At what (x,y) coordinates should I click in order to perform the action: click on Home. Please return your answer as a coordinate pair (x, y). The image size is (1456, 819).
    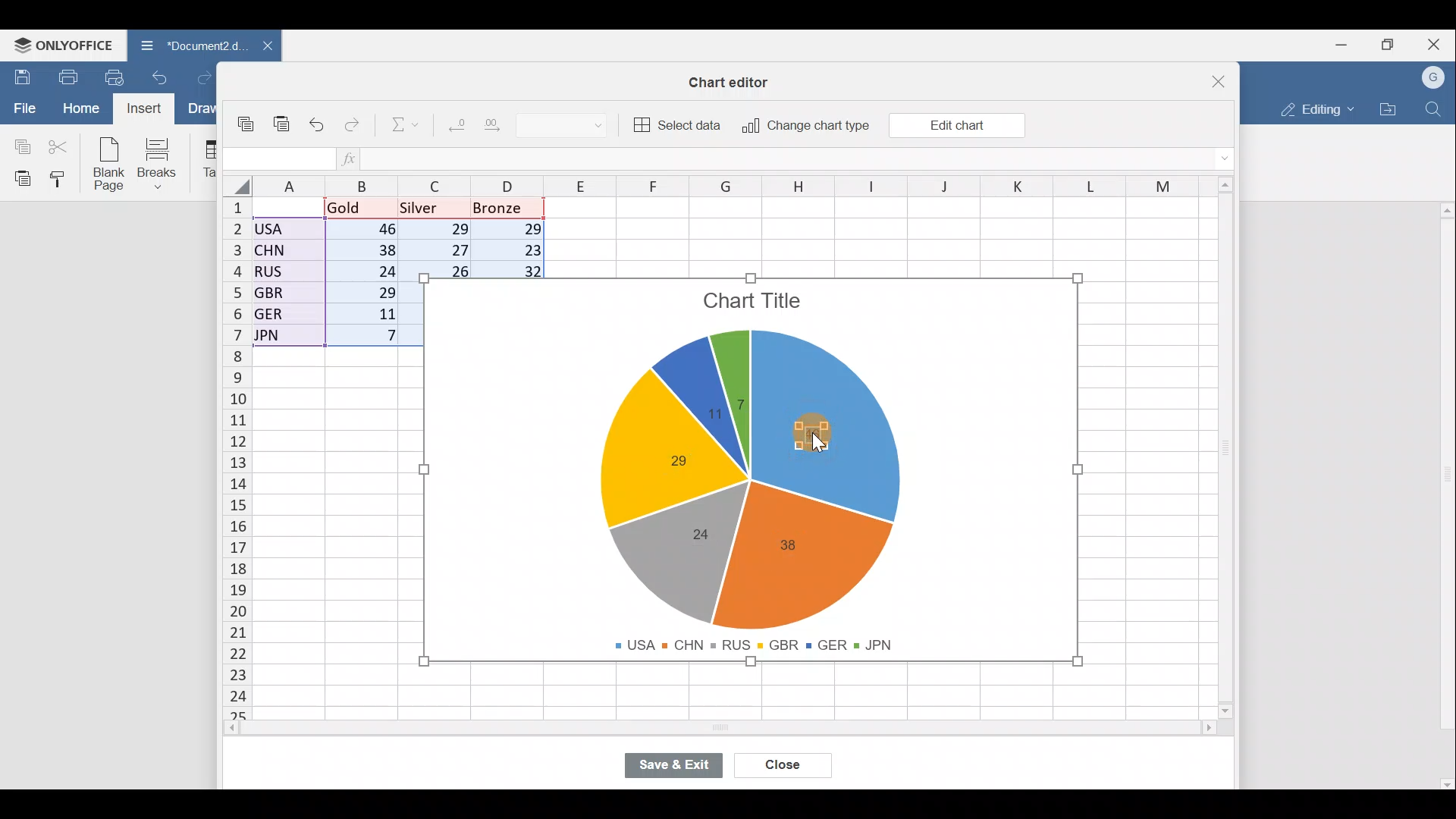
    Looking at the image, I should click on (80, 108).